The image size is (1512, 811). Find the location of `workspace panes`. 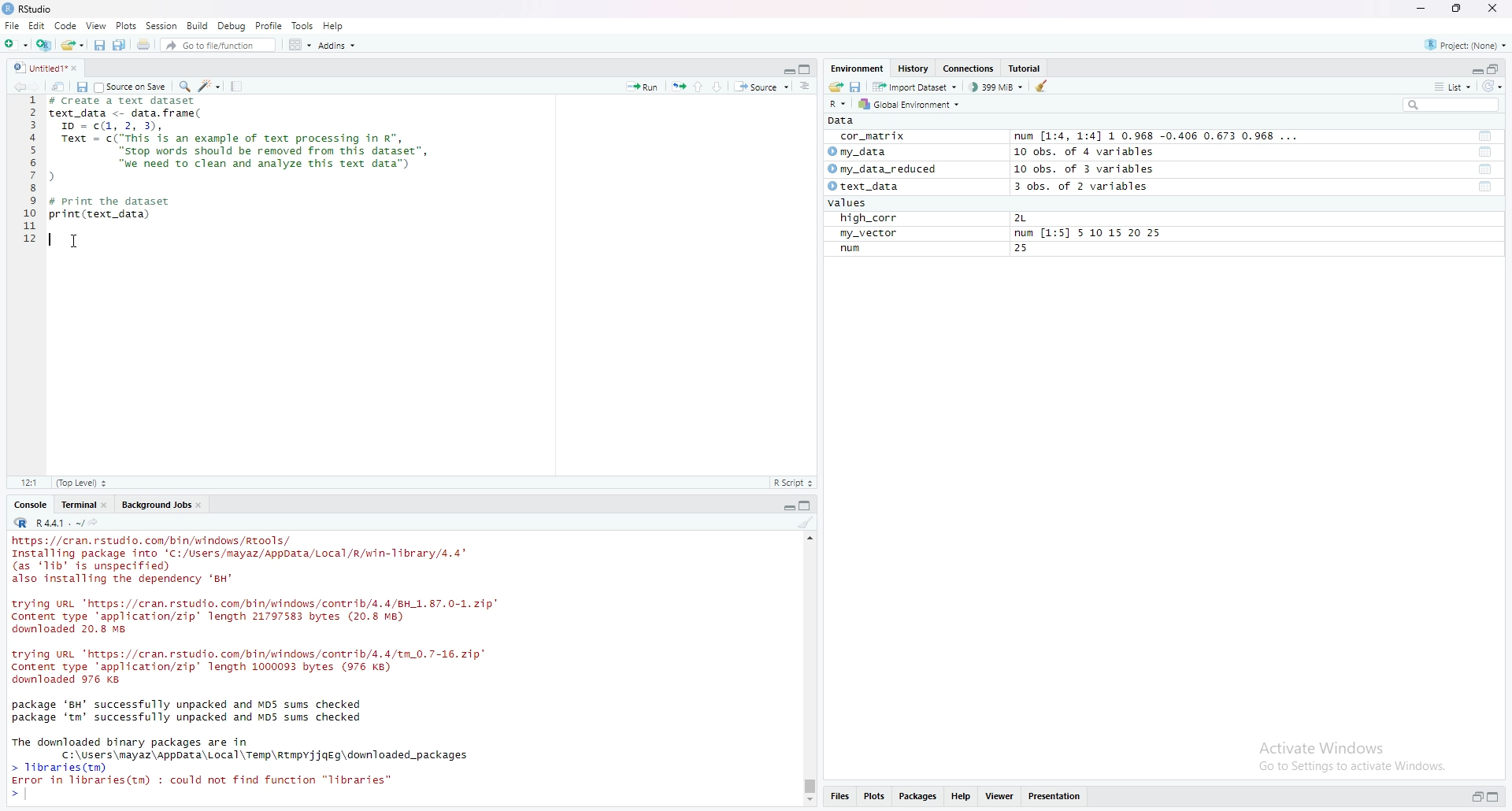

workspace panes is located at coordinates (300, 46).